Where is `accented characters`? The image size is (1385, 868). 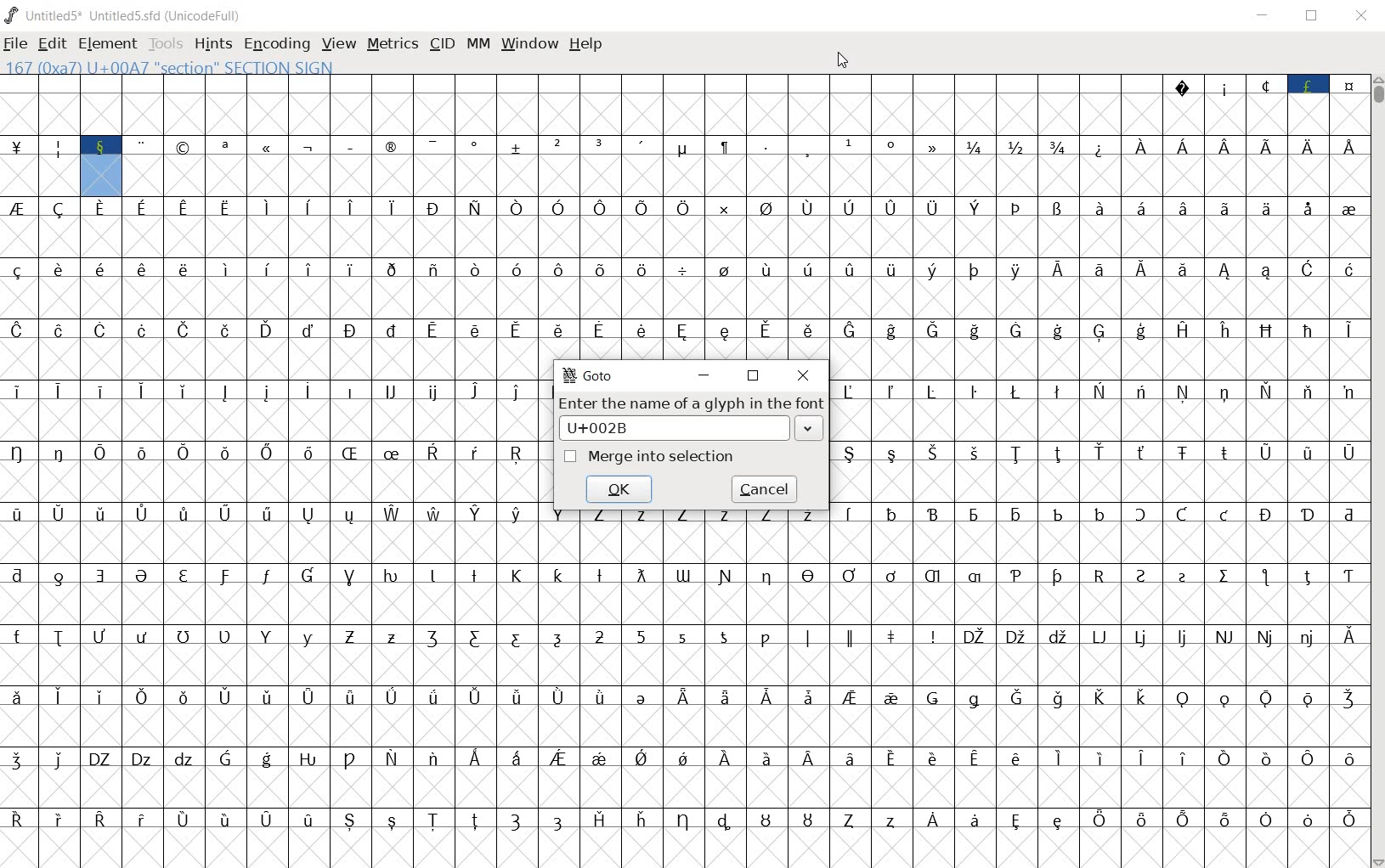 accented characters is located at coordinates (414, 778).